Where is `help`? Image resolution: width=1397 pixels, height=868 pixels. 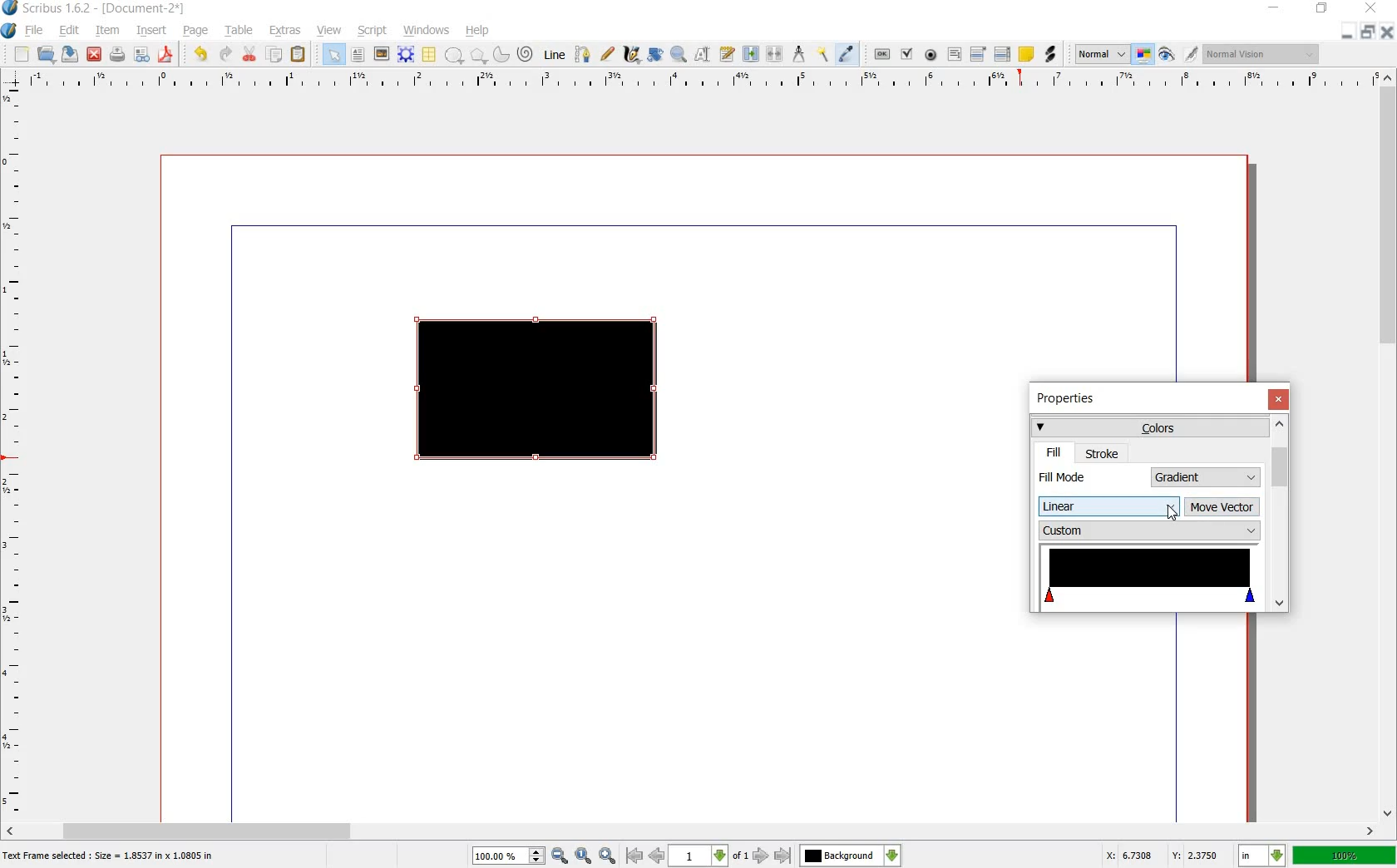 help is located at coordinates (478, 31).